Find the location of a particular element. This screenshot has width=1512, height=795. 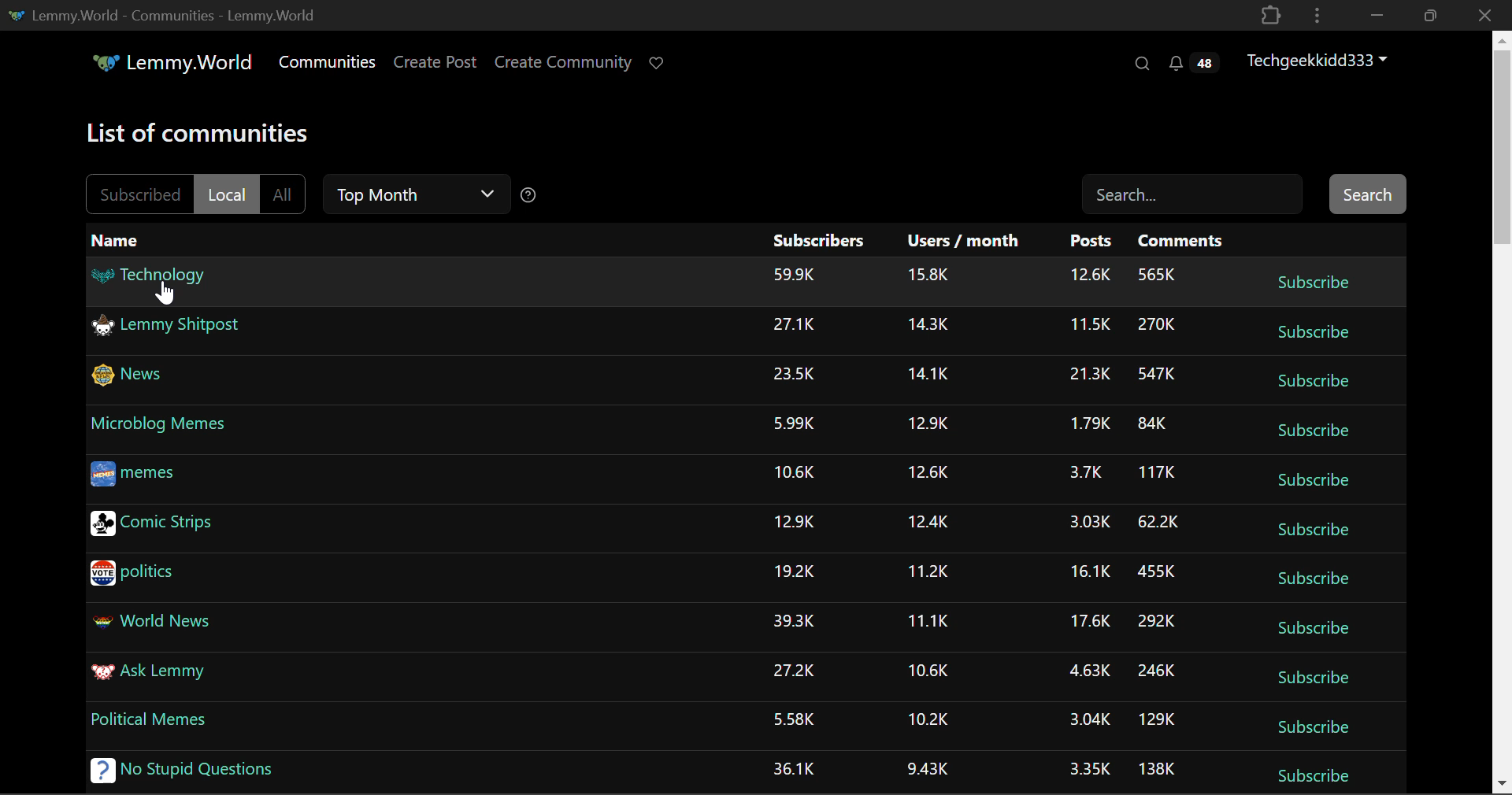

Amount  is located at coordinates (1154, 424).